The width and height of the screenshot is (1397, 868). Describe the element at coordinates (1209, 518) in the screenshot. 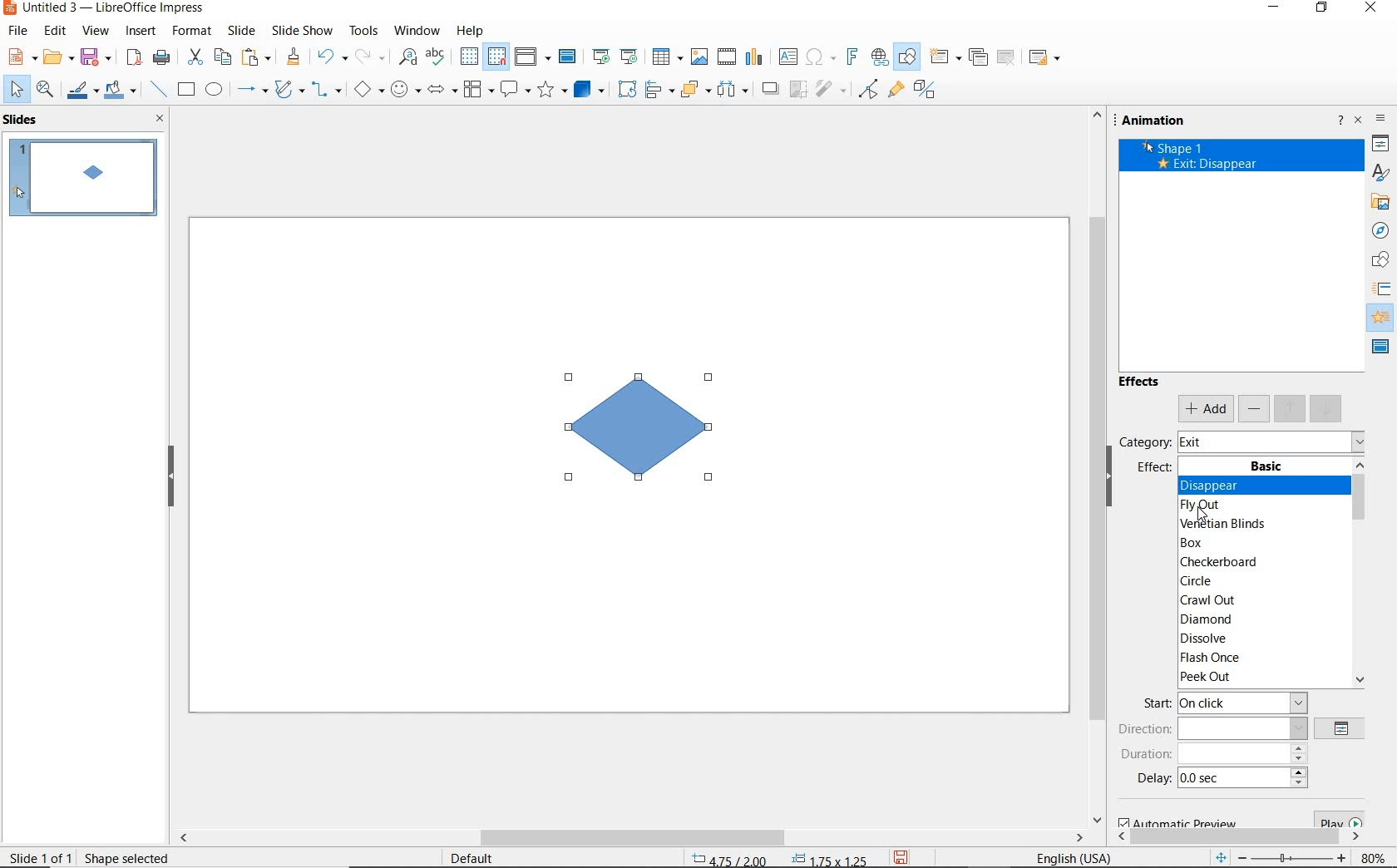

I see `cursor` at that location.